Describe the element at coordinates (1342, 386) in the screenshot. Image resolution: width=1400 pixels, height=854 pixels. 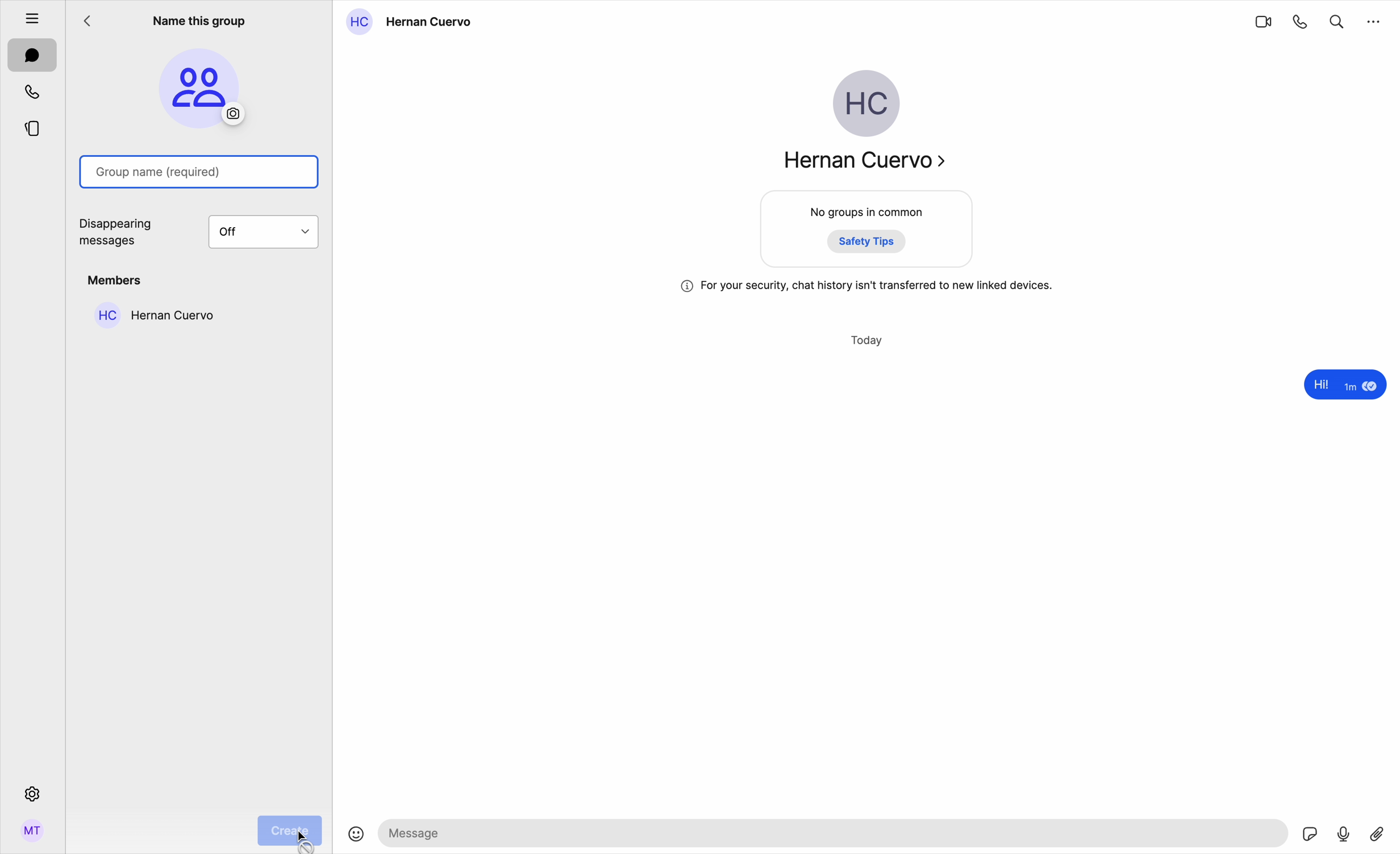
I see `message ` at that location.